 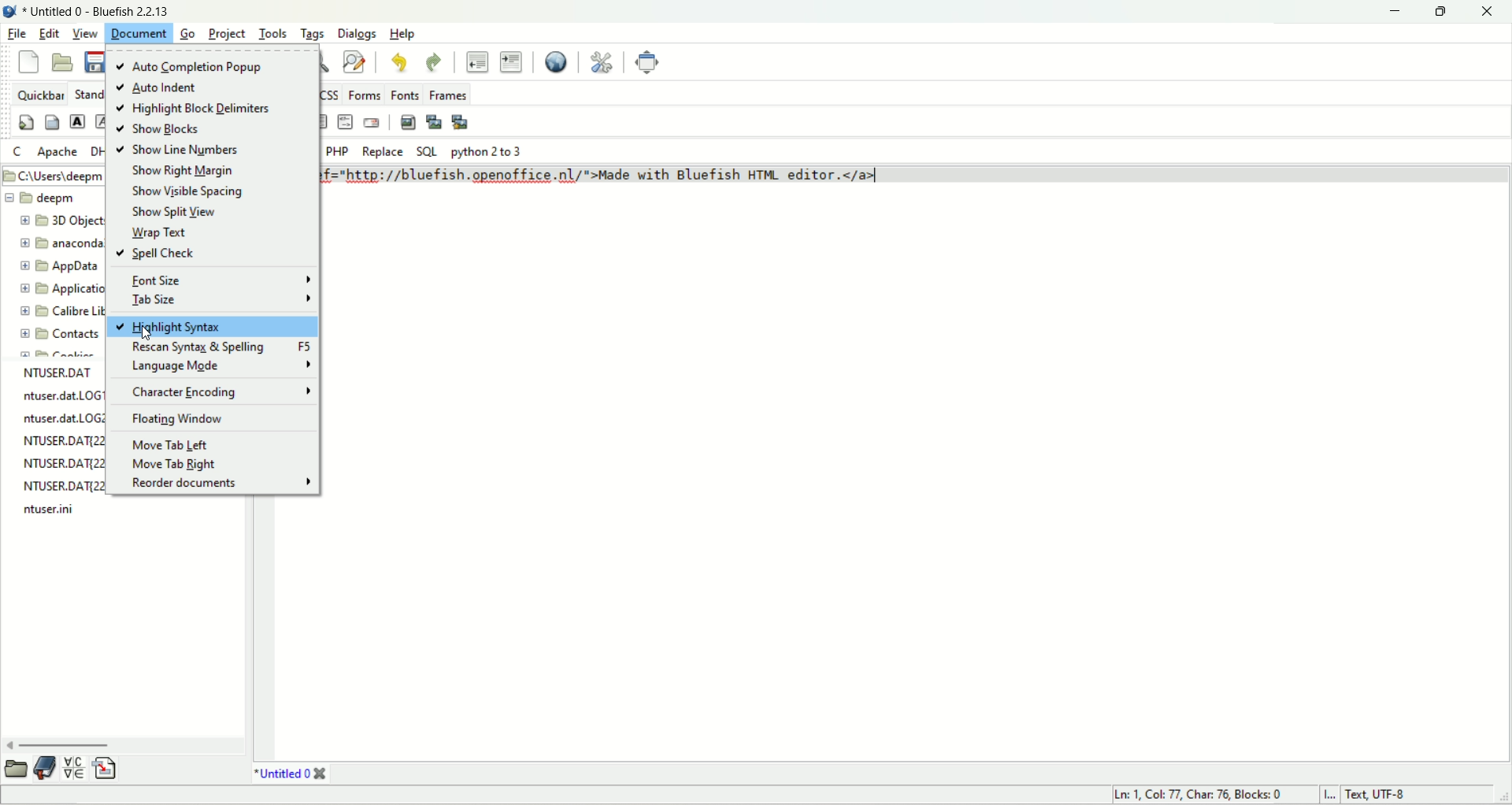 I want to click on replace, so click(x=380, y=151).